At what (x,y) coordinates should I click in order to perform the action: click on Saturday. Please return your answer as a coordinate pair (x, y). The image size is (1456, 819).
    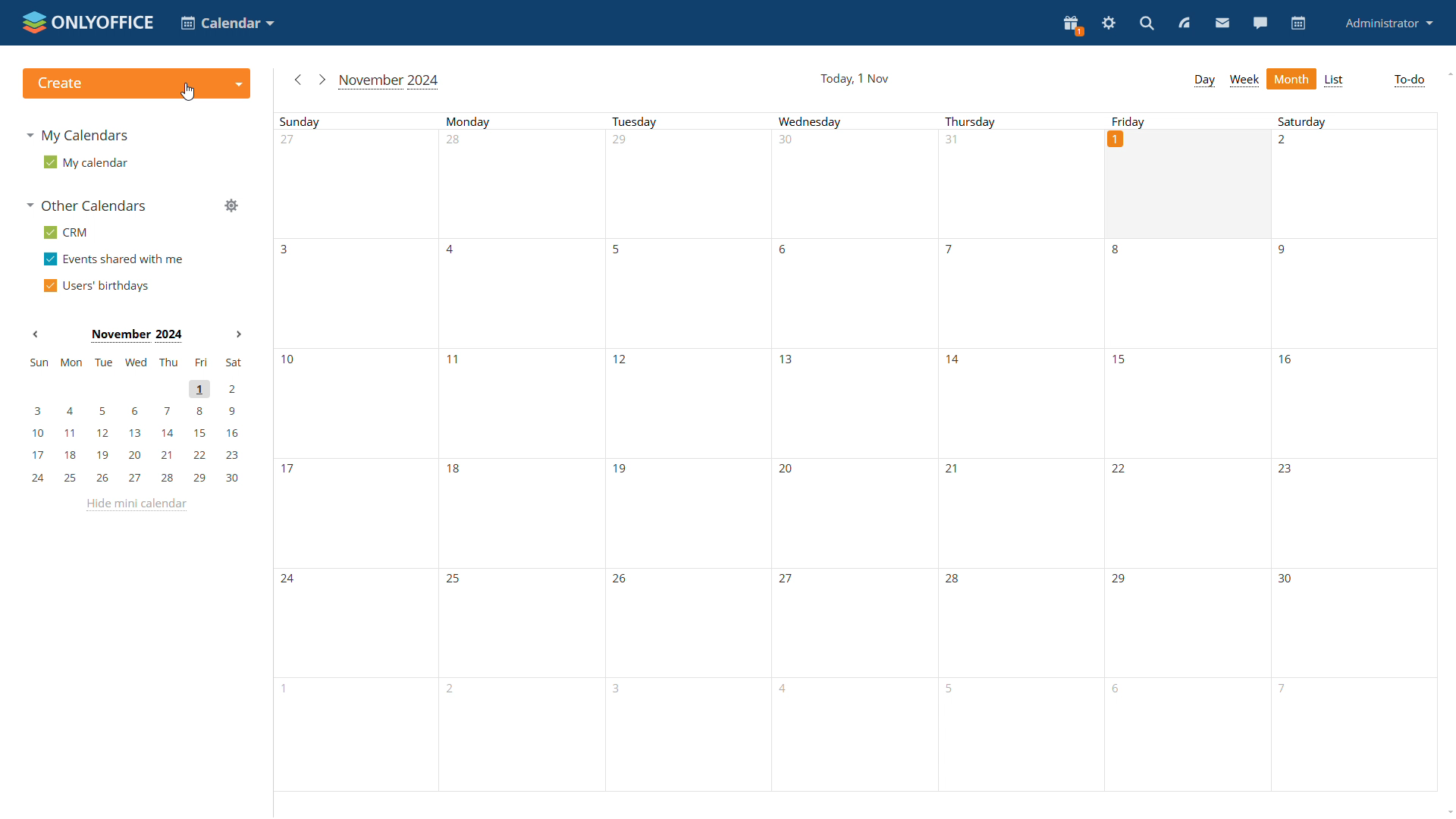
    Looking at the image, I should click on (1351, 452).